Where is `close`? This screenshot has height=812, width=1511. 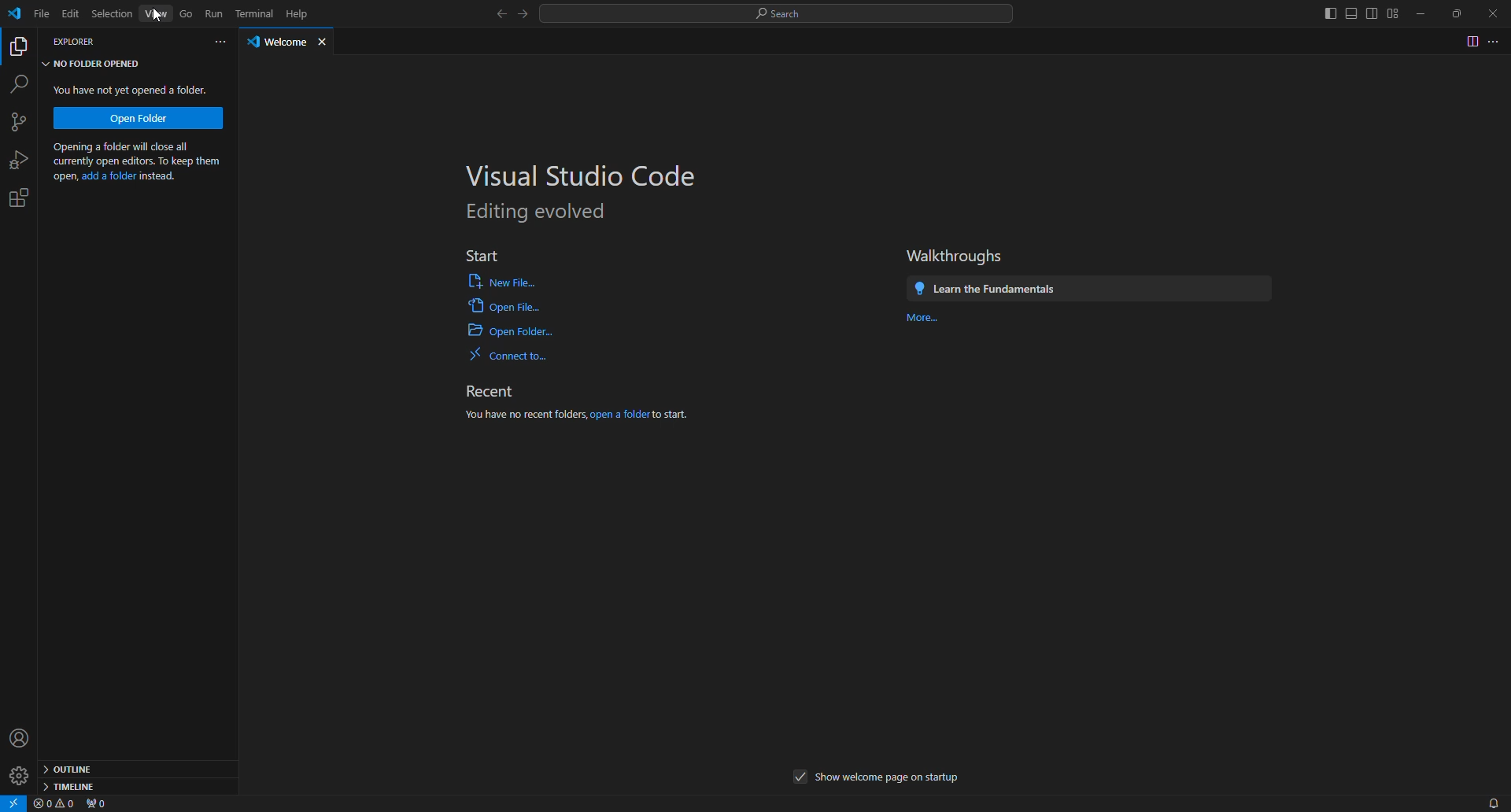
close is located at coordinates (1494, 13).